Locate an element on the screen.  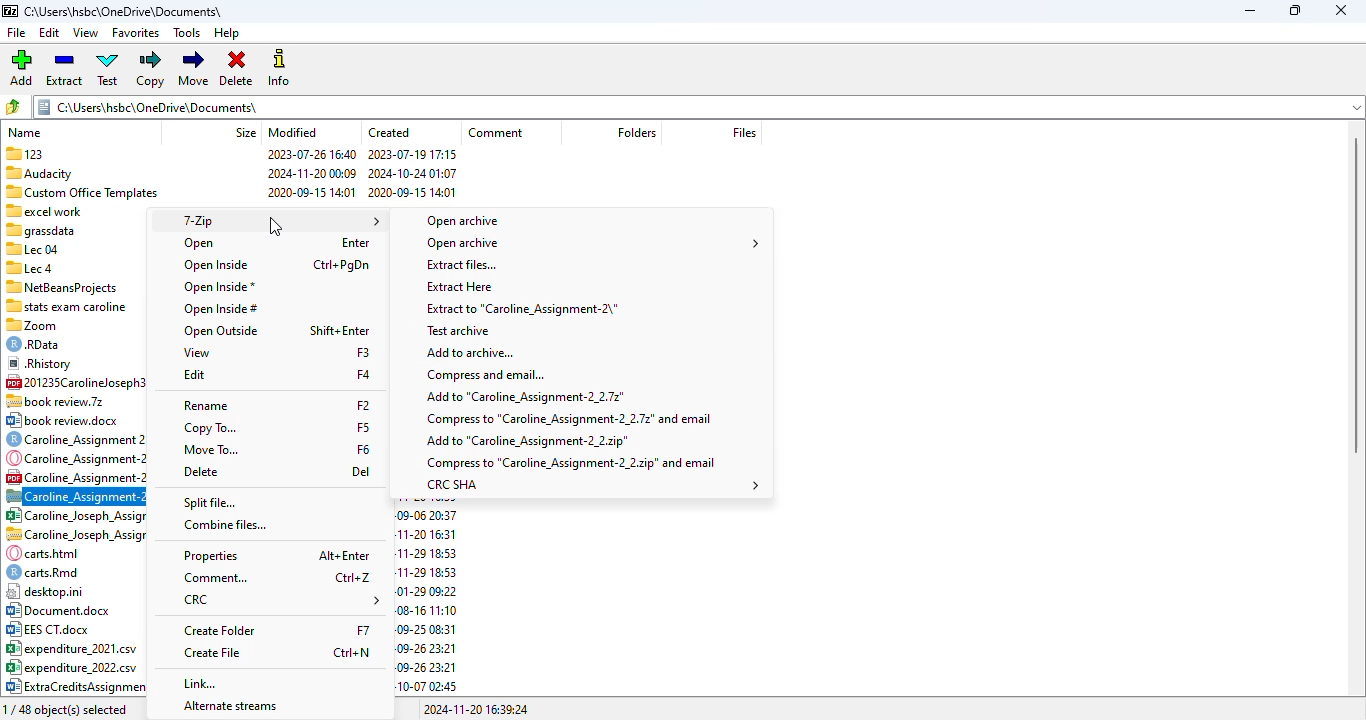
edit is located at coordinates (195, 375).